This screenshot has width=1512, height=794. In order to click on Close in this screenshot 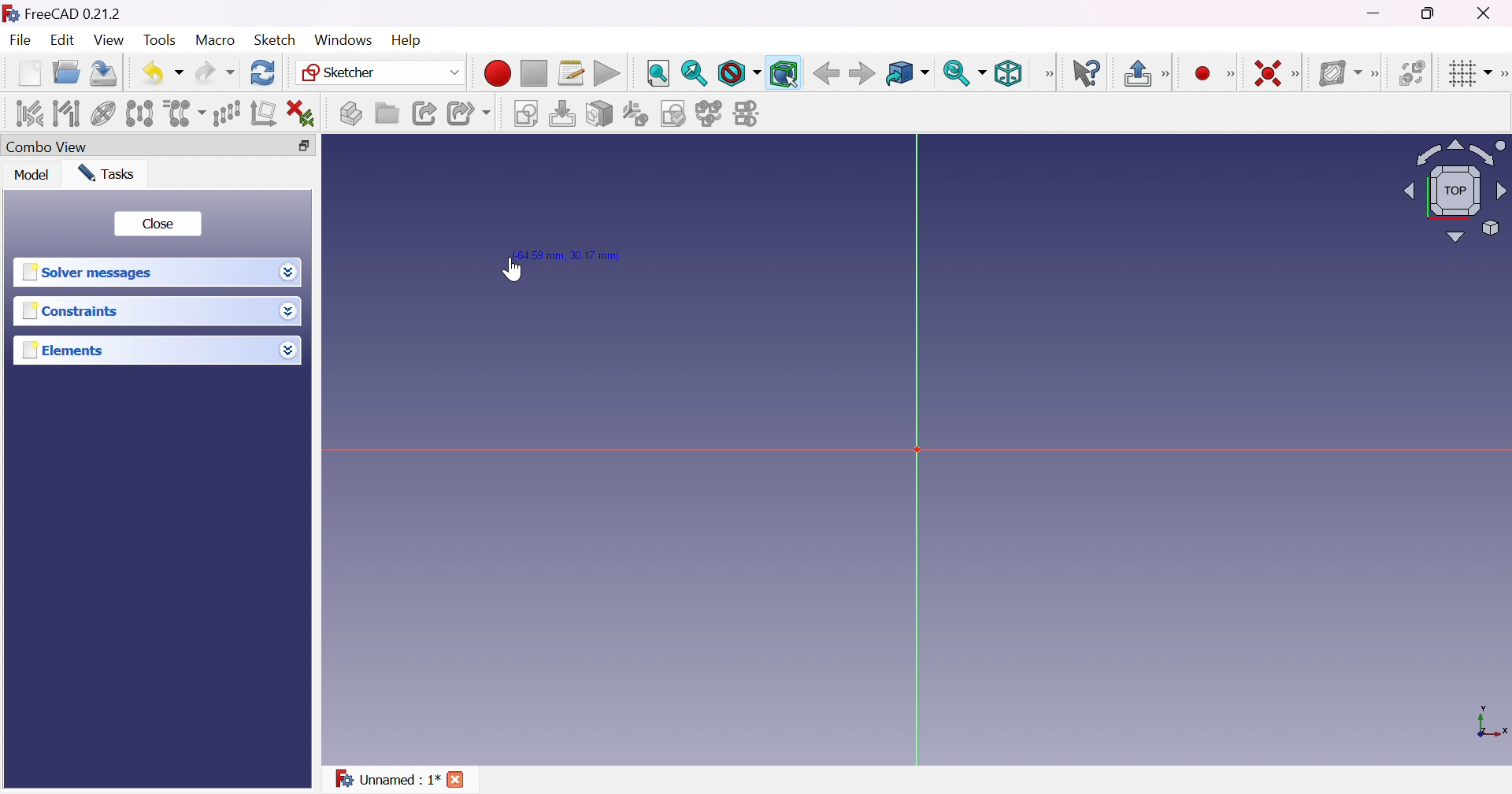, I will do `click(158, 225)`.